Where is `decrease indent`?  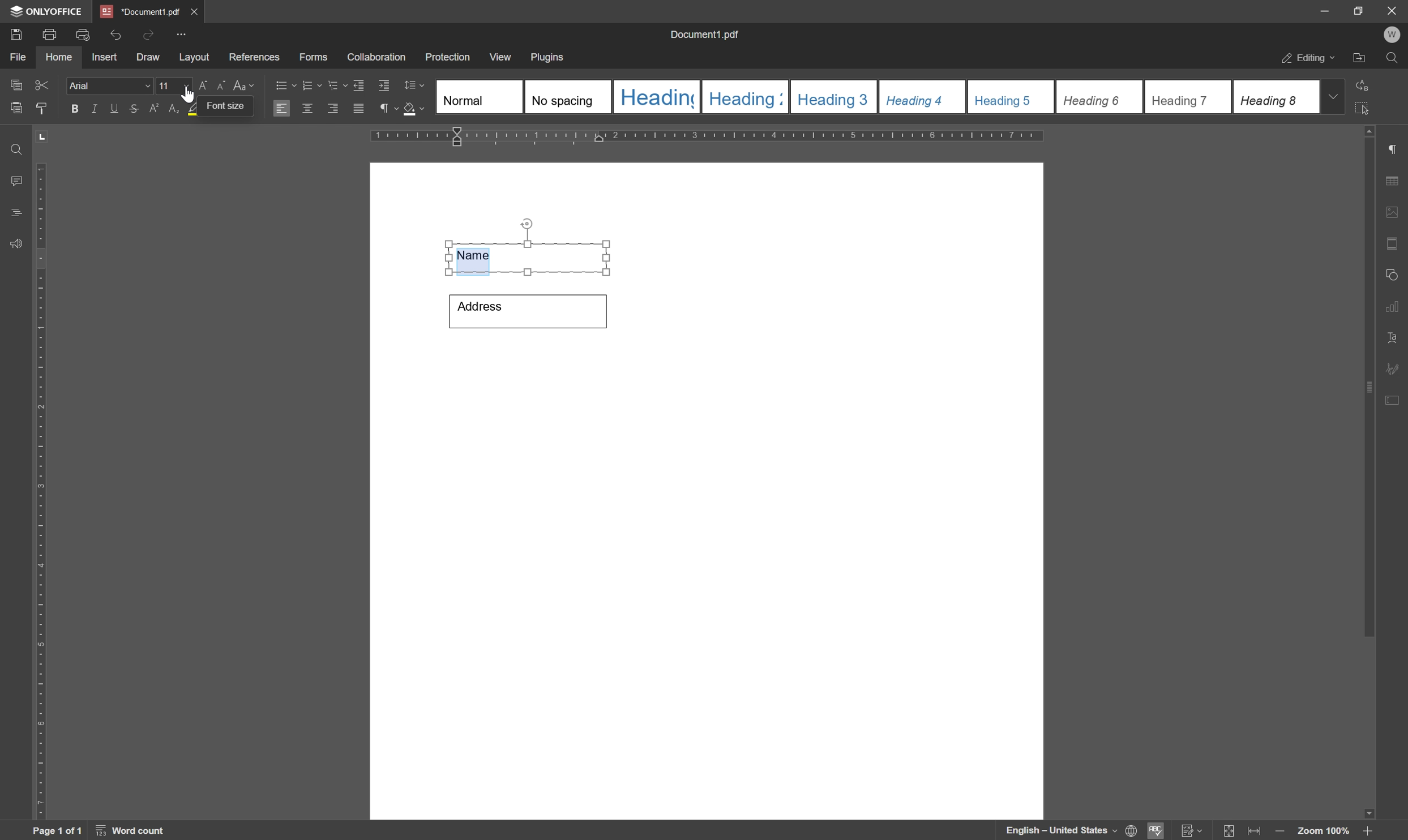
decrease indent is located at coordinates (357, 84).